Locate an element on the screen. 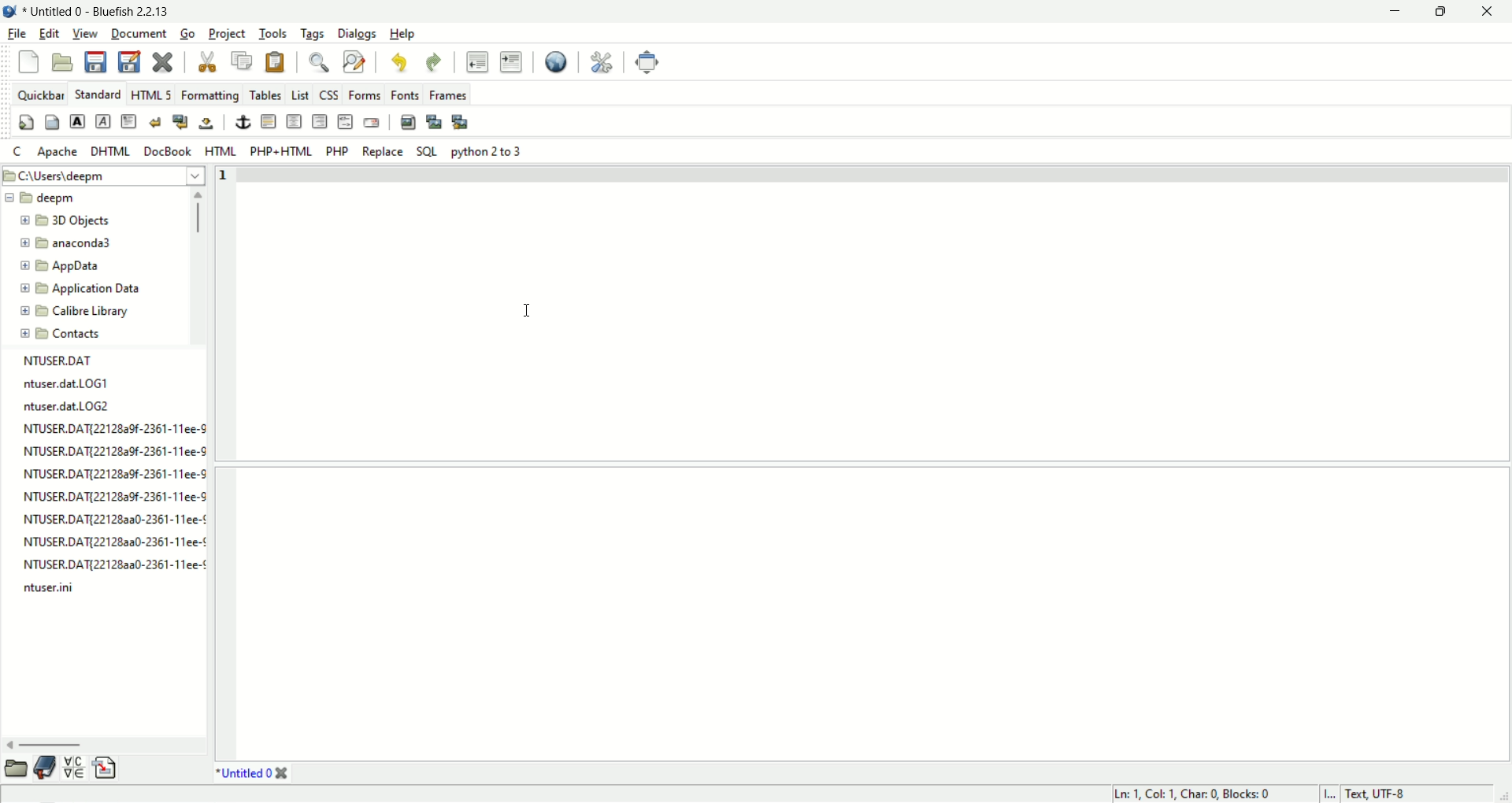 This screenshot has height=803, width=1512. save as is located at coordinates (130, 61).